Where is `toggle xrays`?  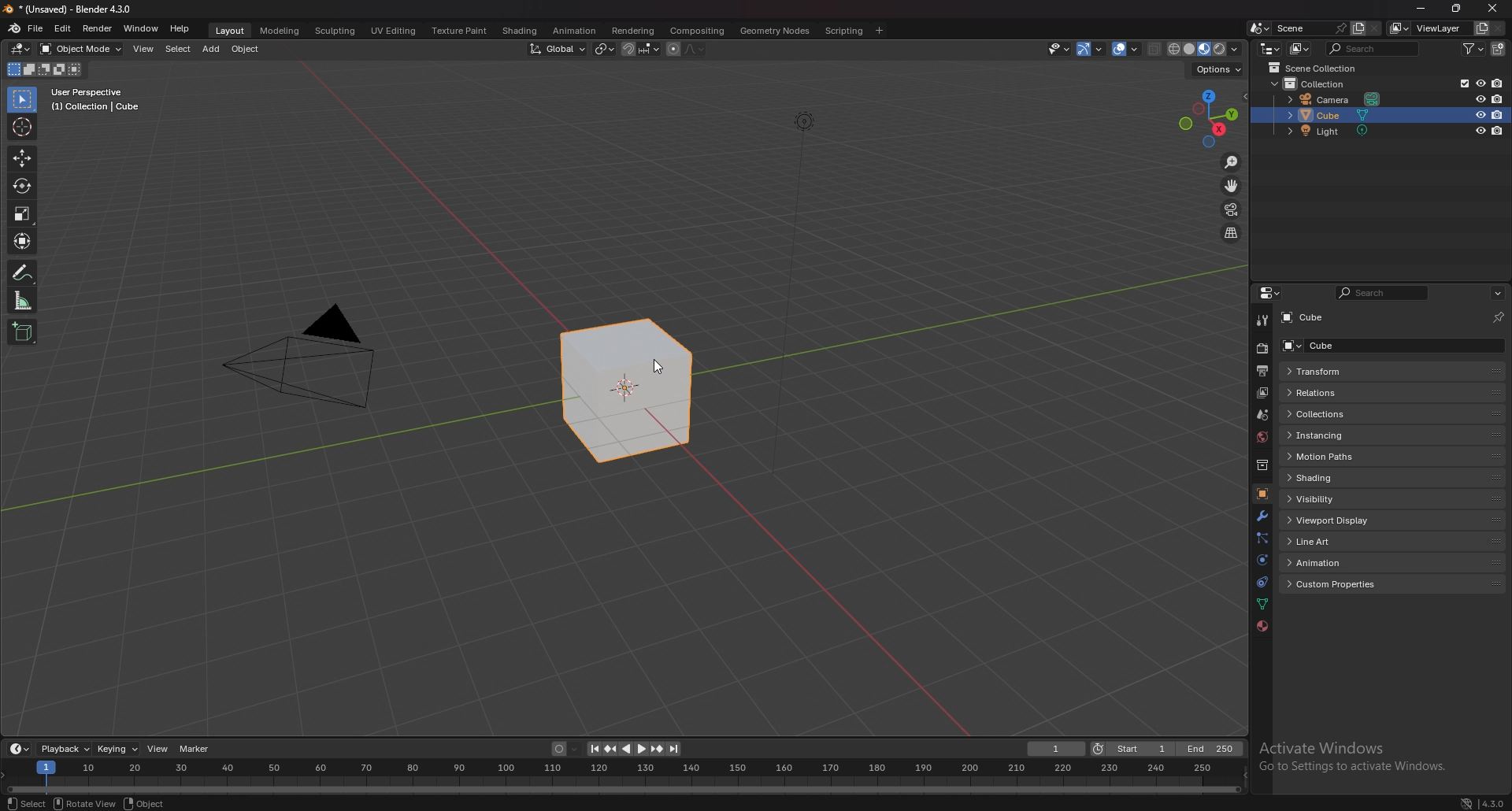
toggle xrays is located at coordinates (1155, 50).